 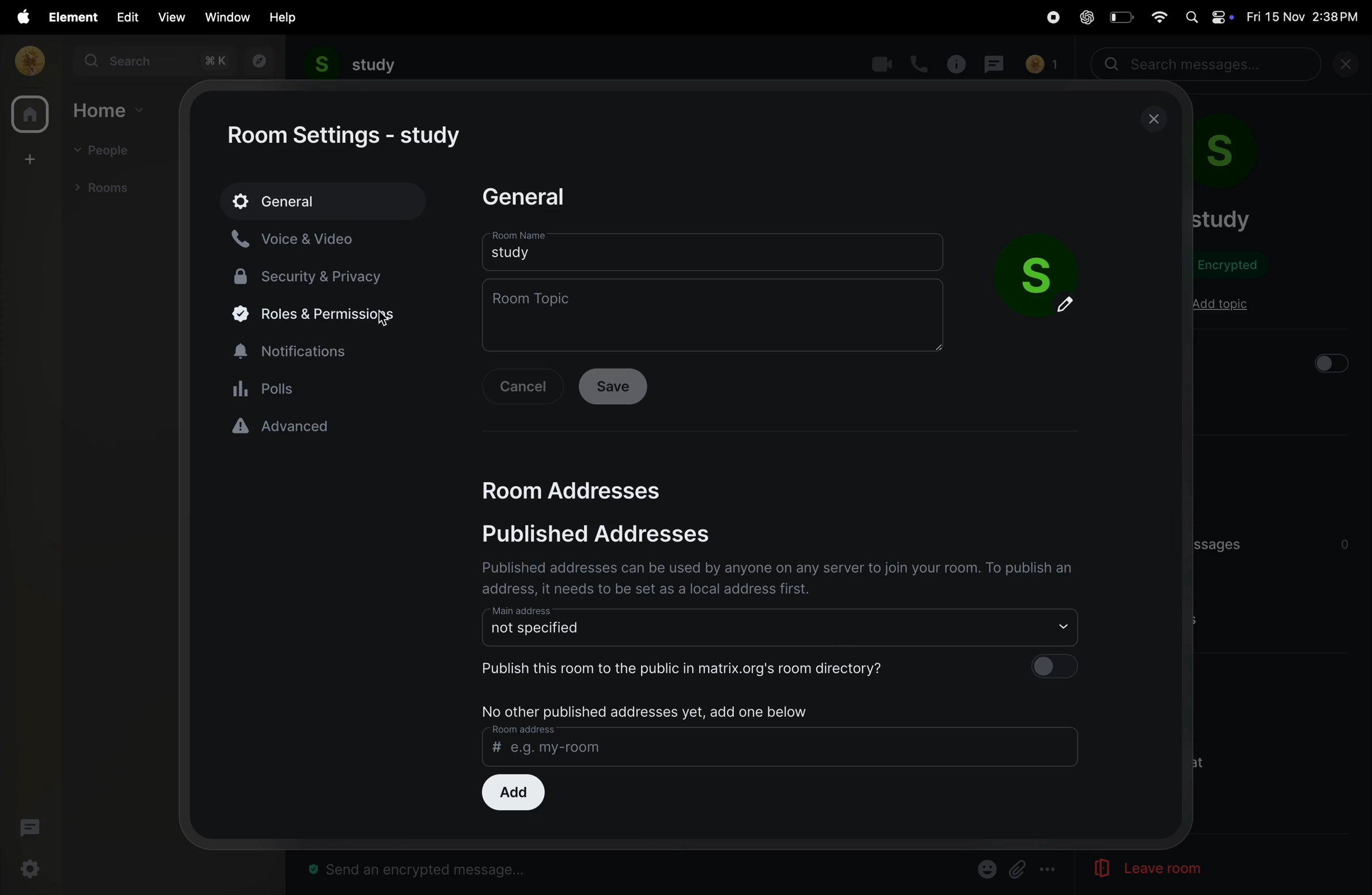 What do you see at coordinates (325, 349) in the screenshot?
I see `notifications` at bounding box center [325, 349].